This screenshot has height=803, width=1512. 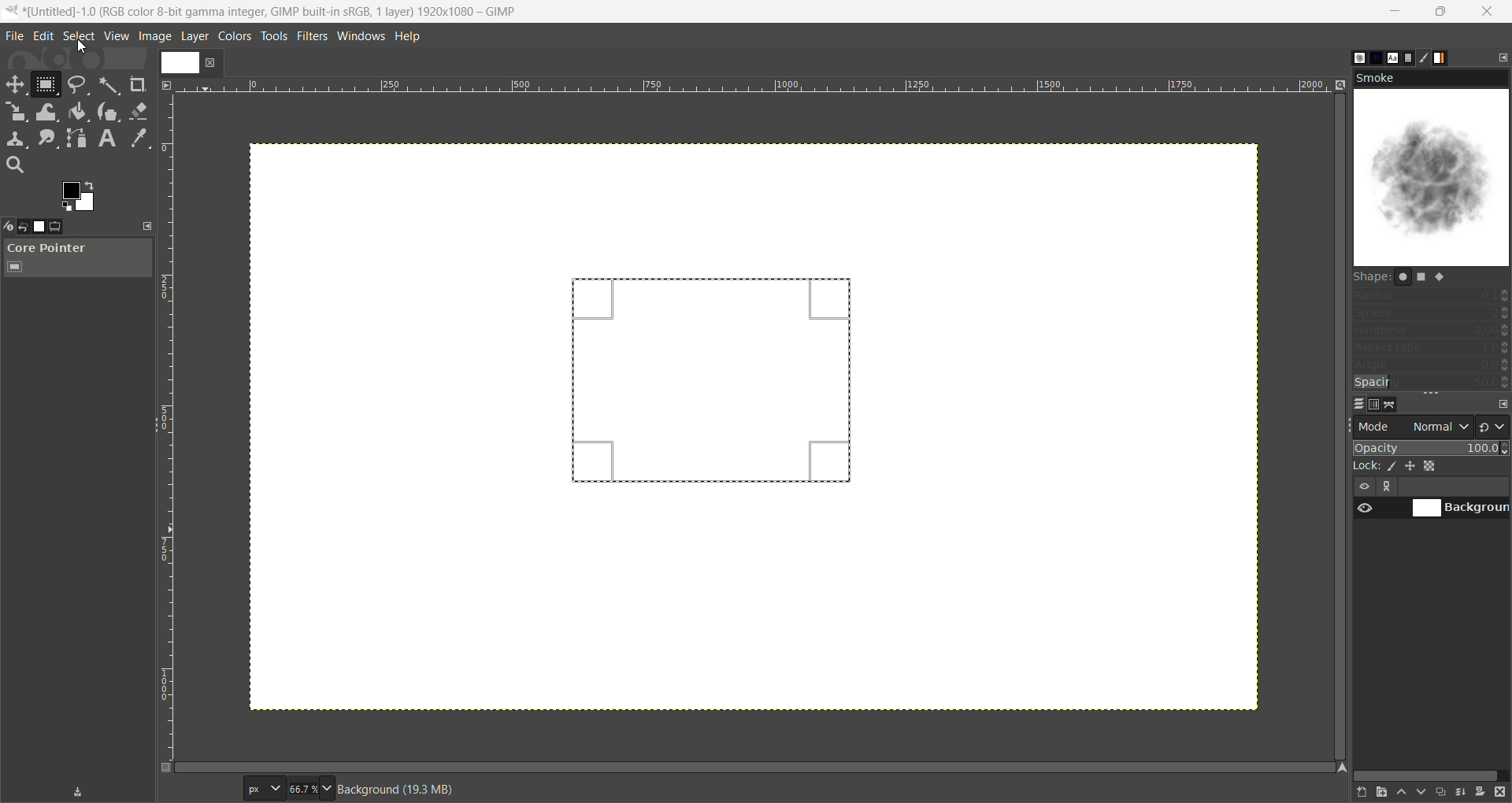 What do you see at coordinates (313, 788) in the screenshot?
I see `zoom factor` at bounding box center [313, 788].